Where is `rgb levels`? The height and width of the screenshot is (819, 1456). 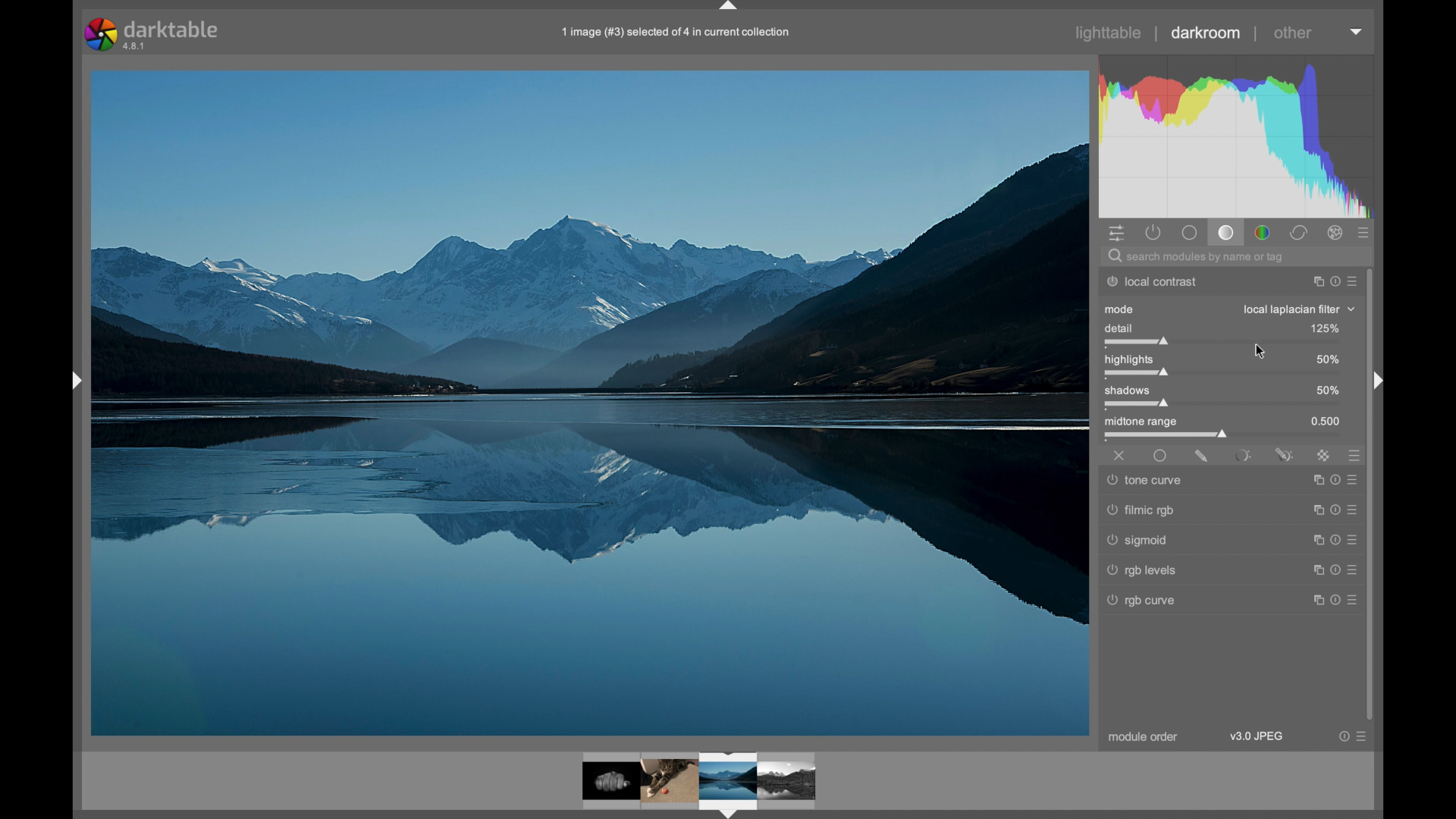 rgb levels is located at coordinates (1141, 570).